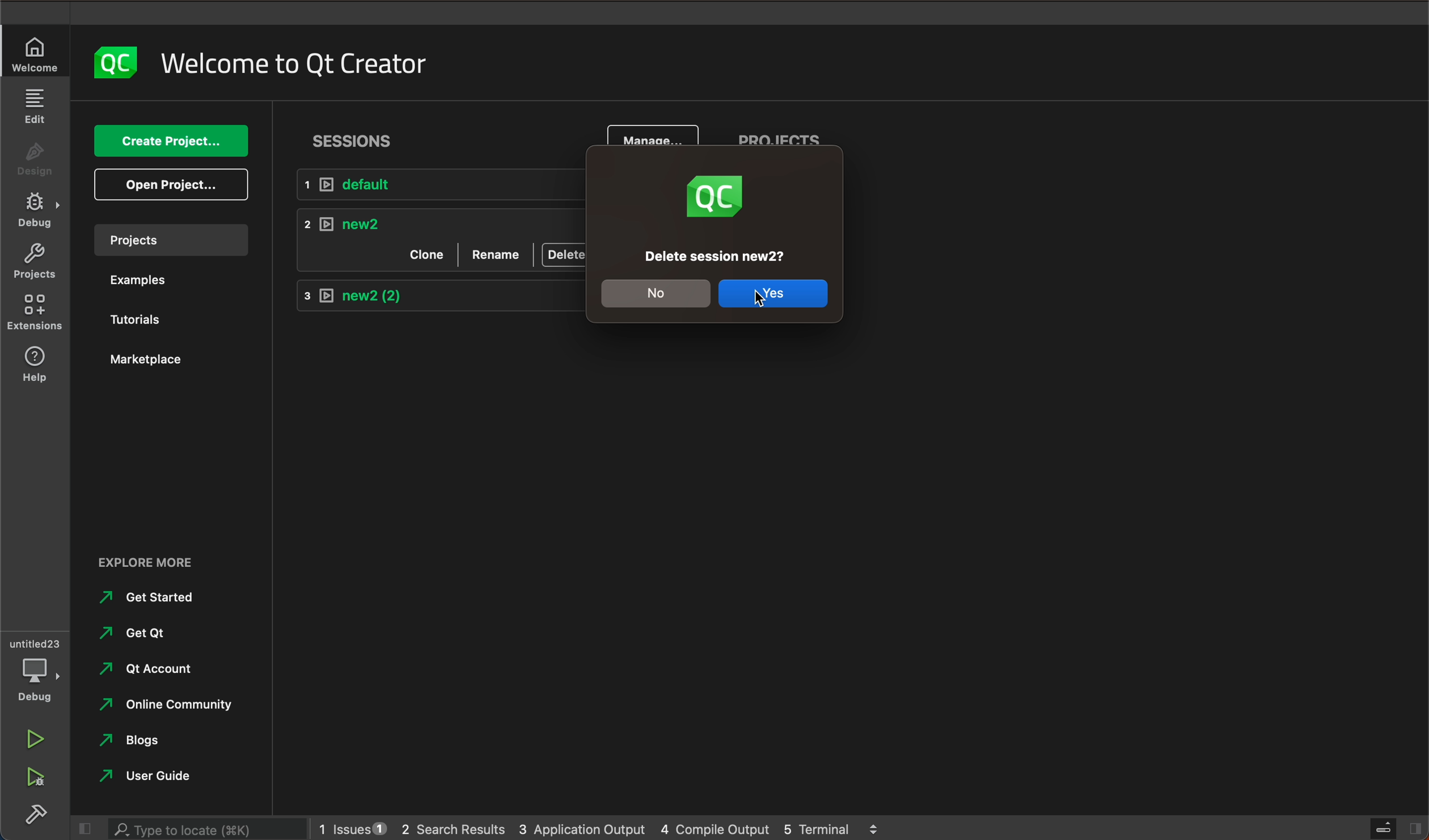 This screenshot has height=840, width=1429. I want to click on open, so click(170, 184).